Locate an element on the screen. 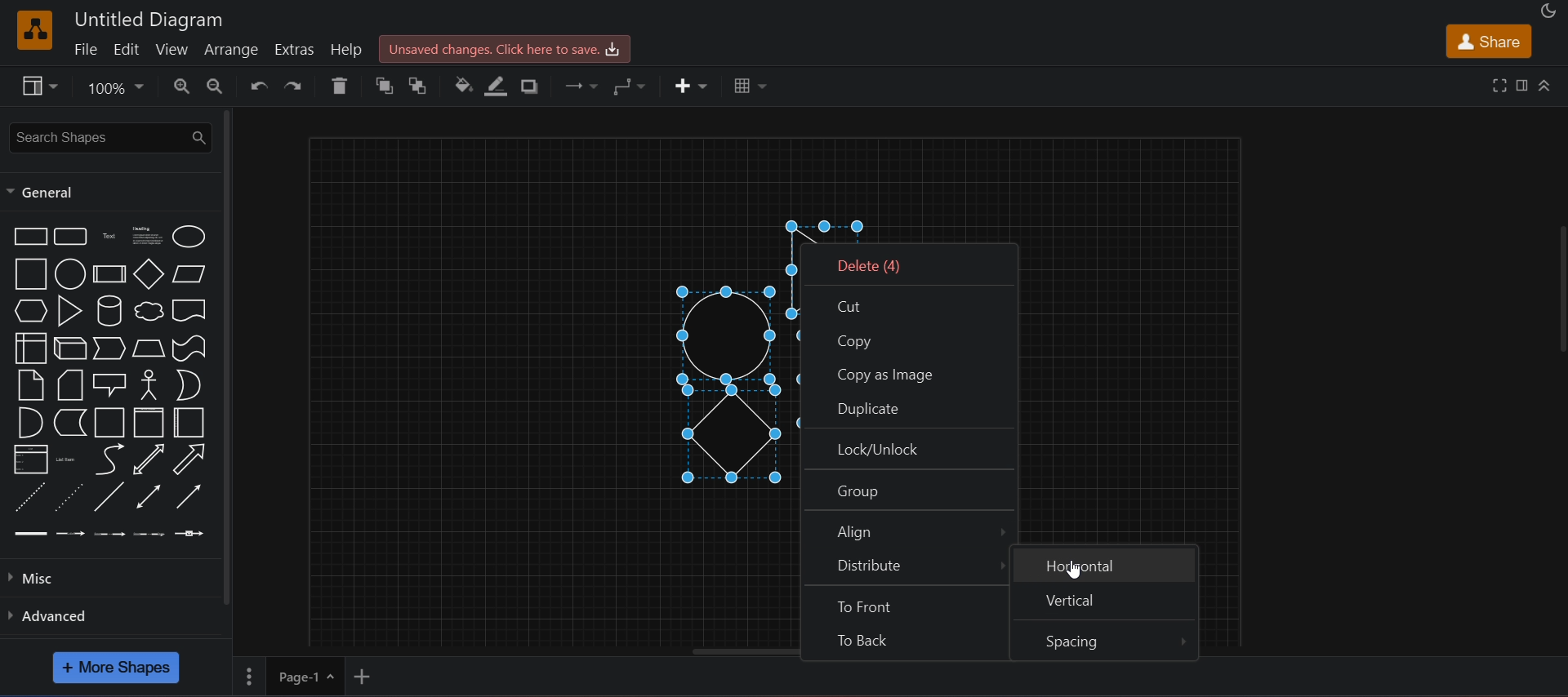 Image resolution: width=1568 pixels, height=697 pixels. dotted line is located at coordinates (70, 496).